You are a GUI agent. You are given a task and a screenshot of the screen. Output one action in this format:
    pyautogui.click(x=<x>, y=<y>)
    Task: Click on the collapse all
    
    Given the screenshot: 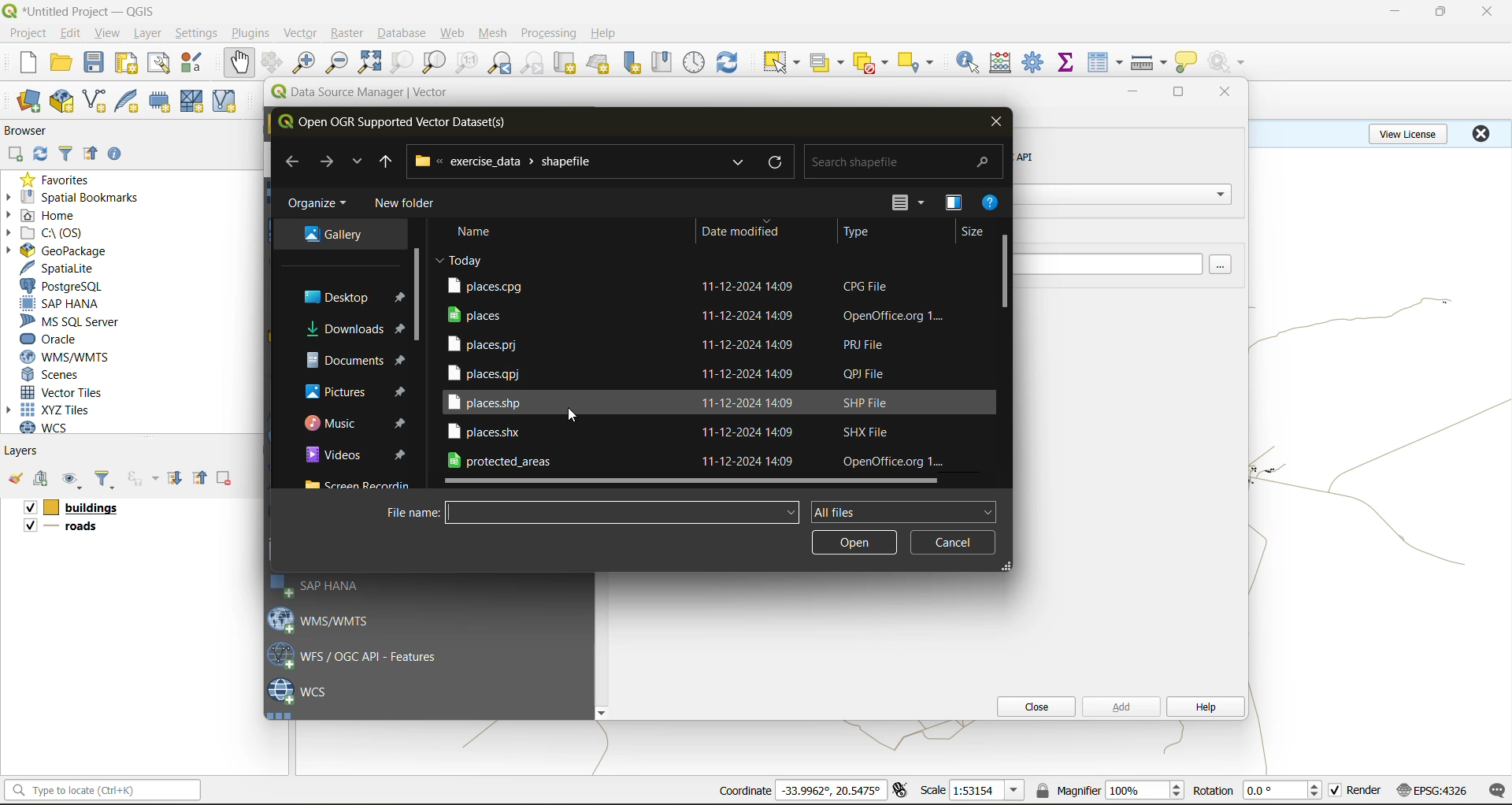 What is the action you would take?
    pyautogui.click(x=202, y=478)
    